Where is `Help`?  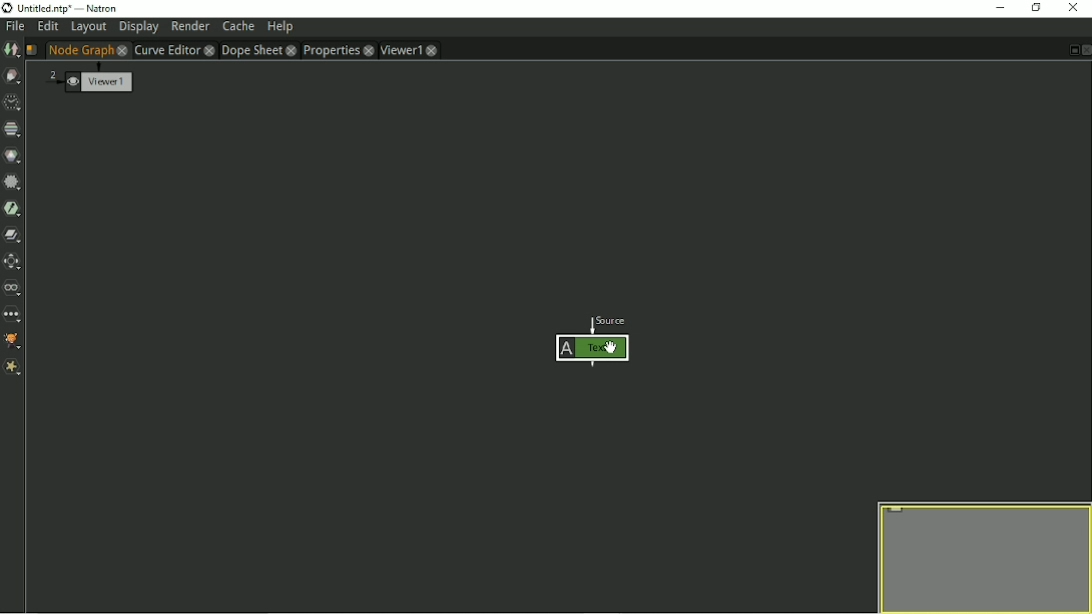 Help is located at coordinates (280, 28).